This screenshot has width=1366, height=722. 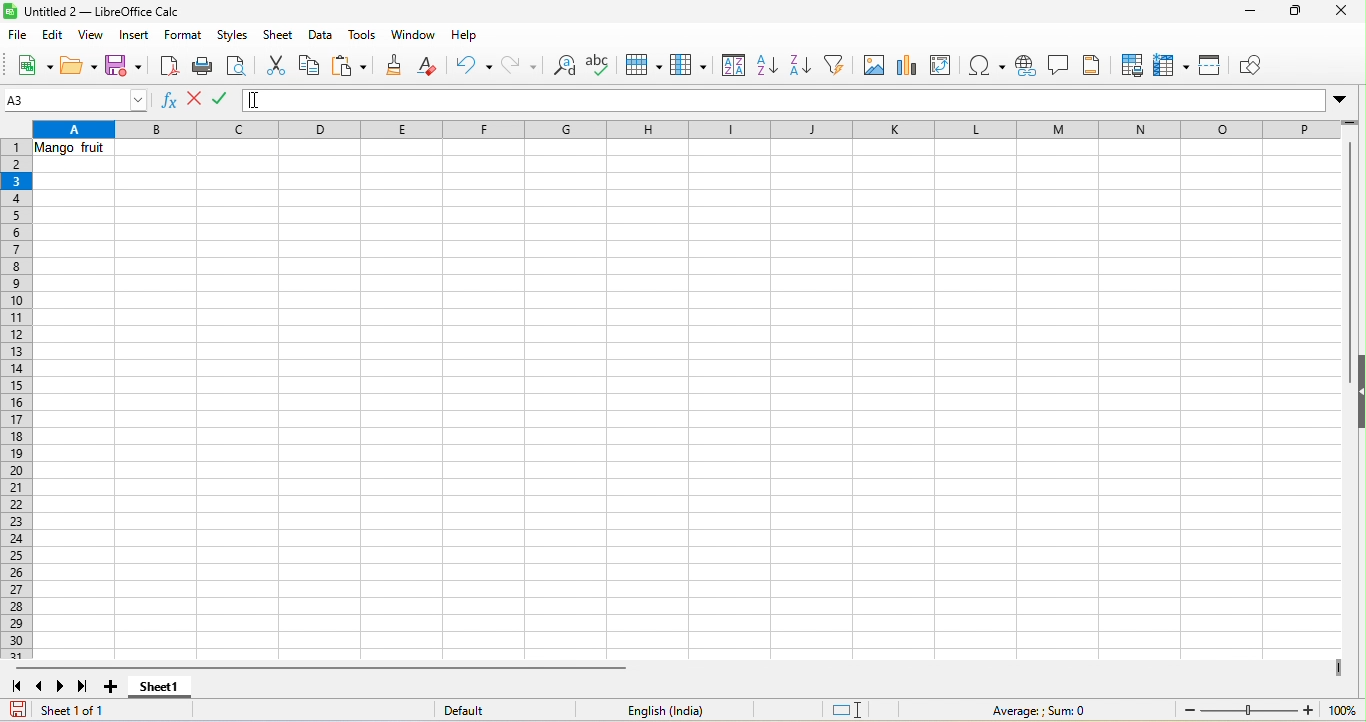 What do you see at coordinates (225, 100) in the screenshot?
I see `accept` at bounding box center [225, 100].